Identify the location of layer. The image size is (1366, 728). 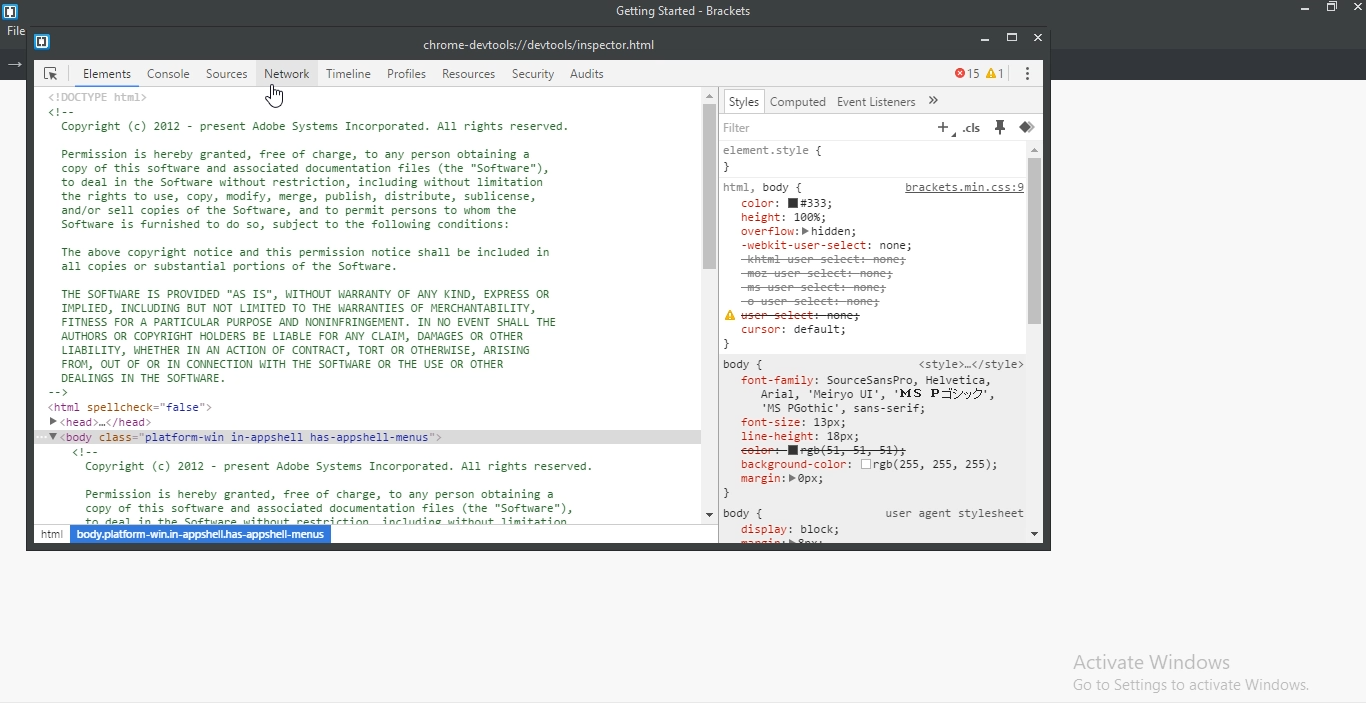
(1026, 127).